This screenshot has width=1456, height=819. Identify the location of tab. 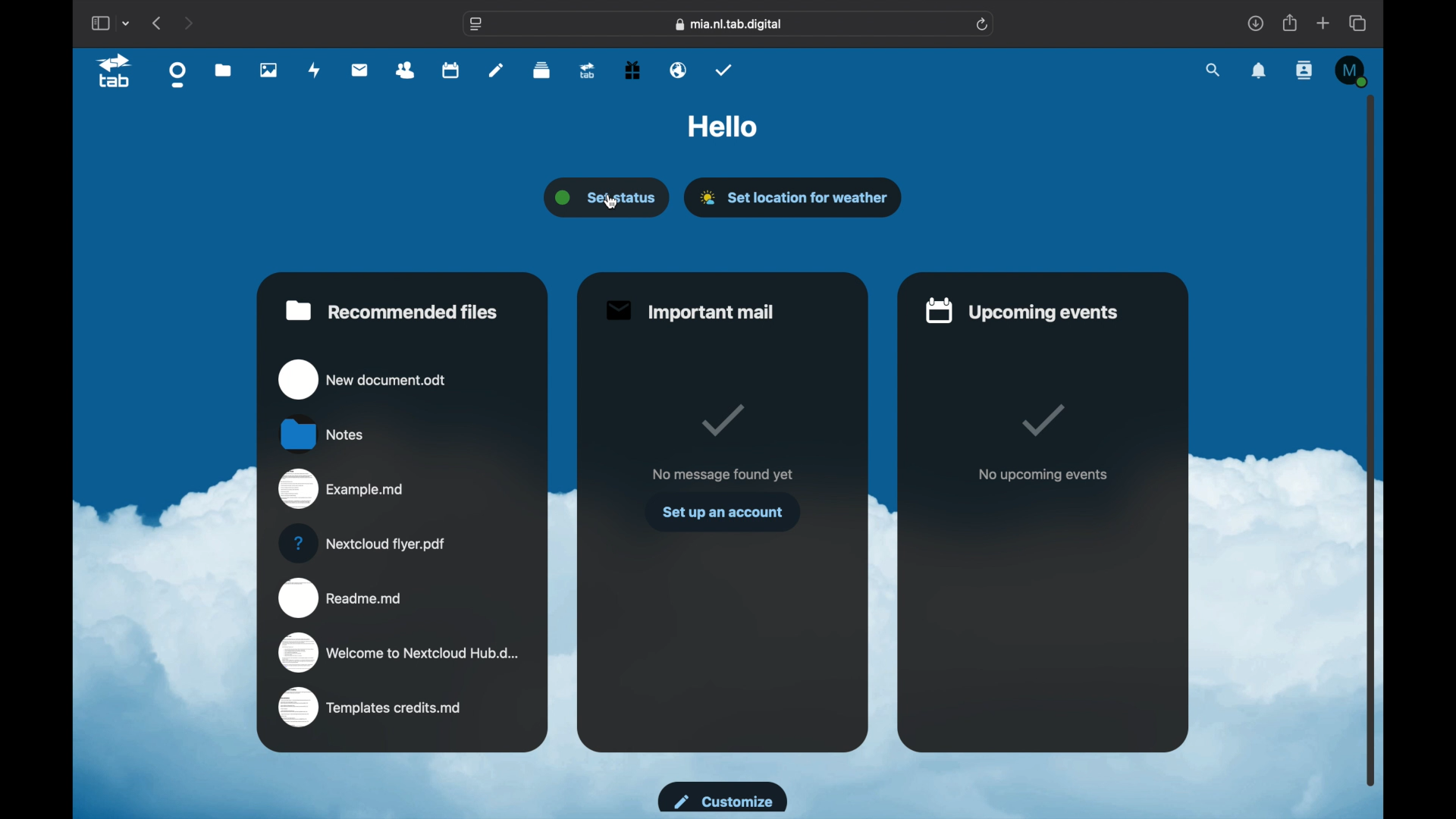
(588, 70).